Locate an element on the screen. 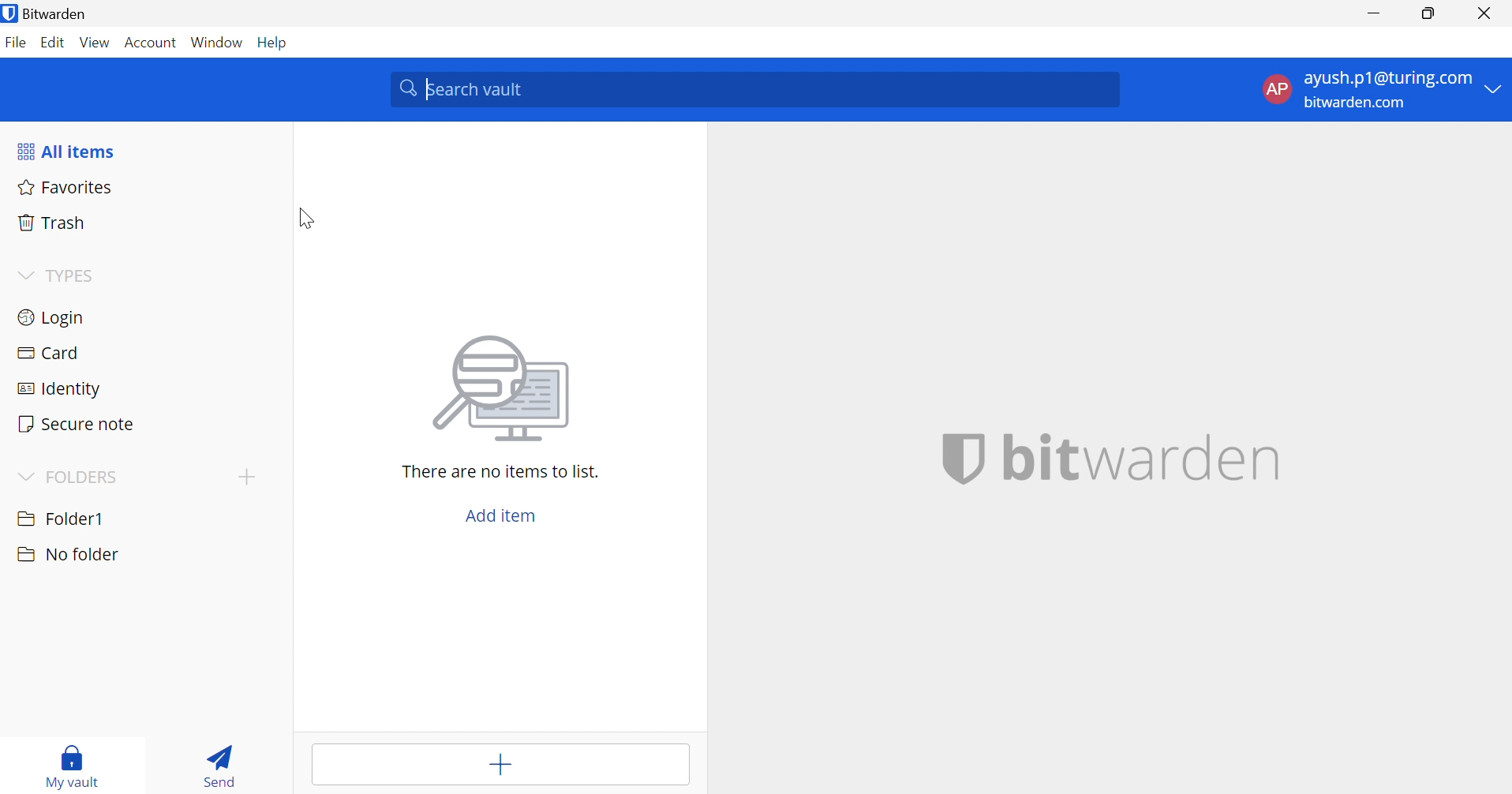 The image size is (1512, 794). Favorites is located at coordinates (65, 188).